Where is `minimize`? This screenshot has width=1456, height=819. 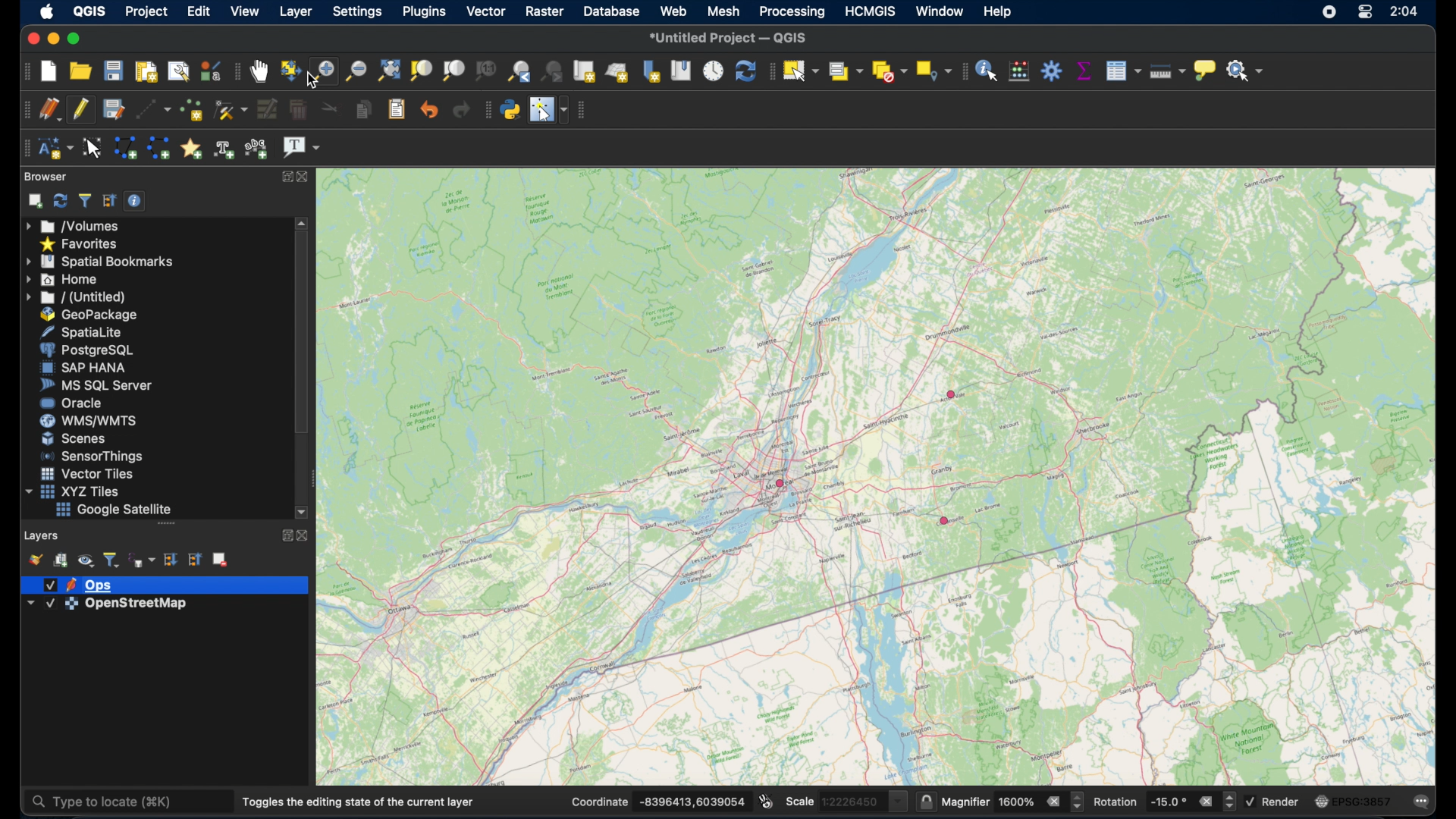
minimize is located at coordinates (52, 39).